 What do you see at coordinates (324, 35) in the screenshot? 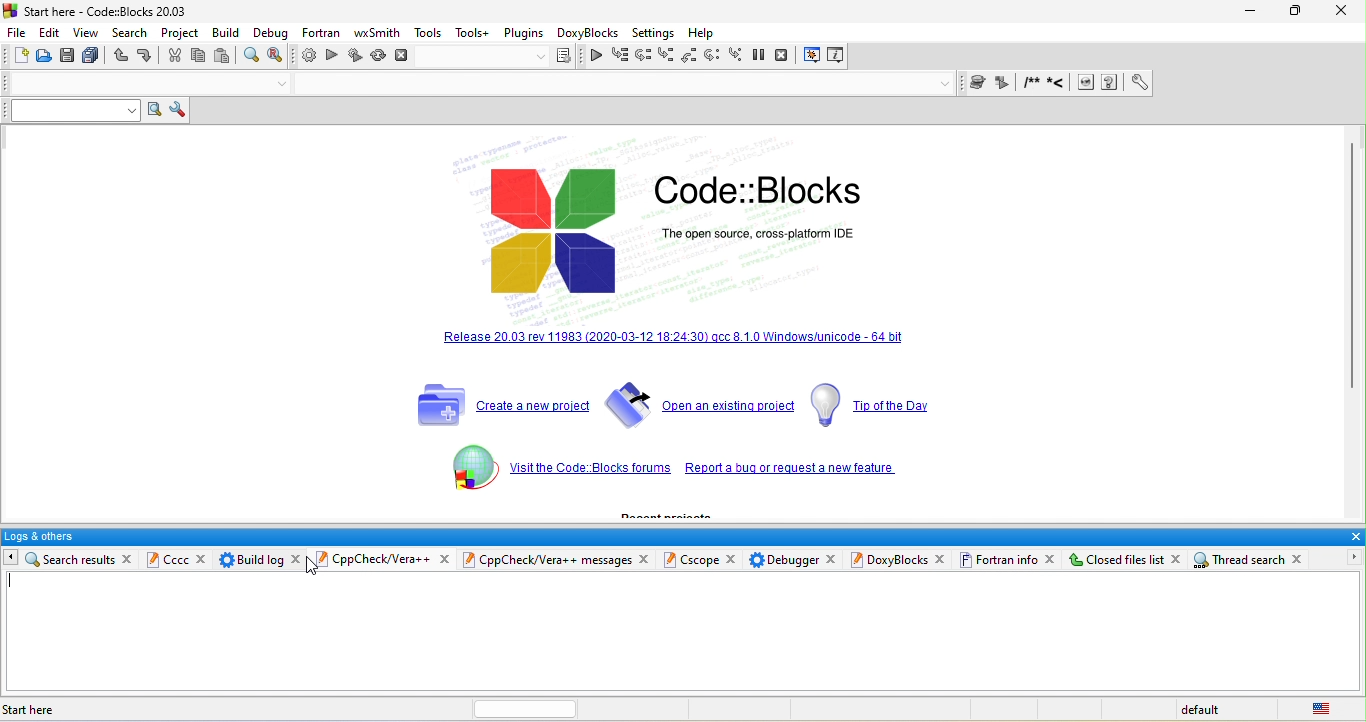
I see `fortran` at bounding box center [324, 35].